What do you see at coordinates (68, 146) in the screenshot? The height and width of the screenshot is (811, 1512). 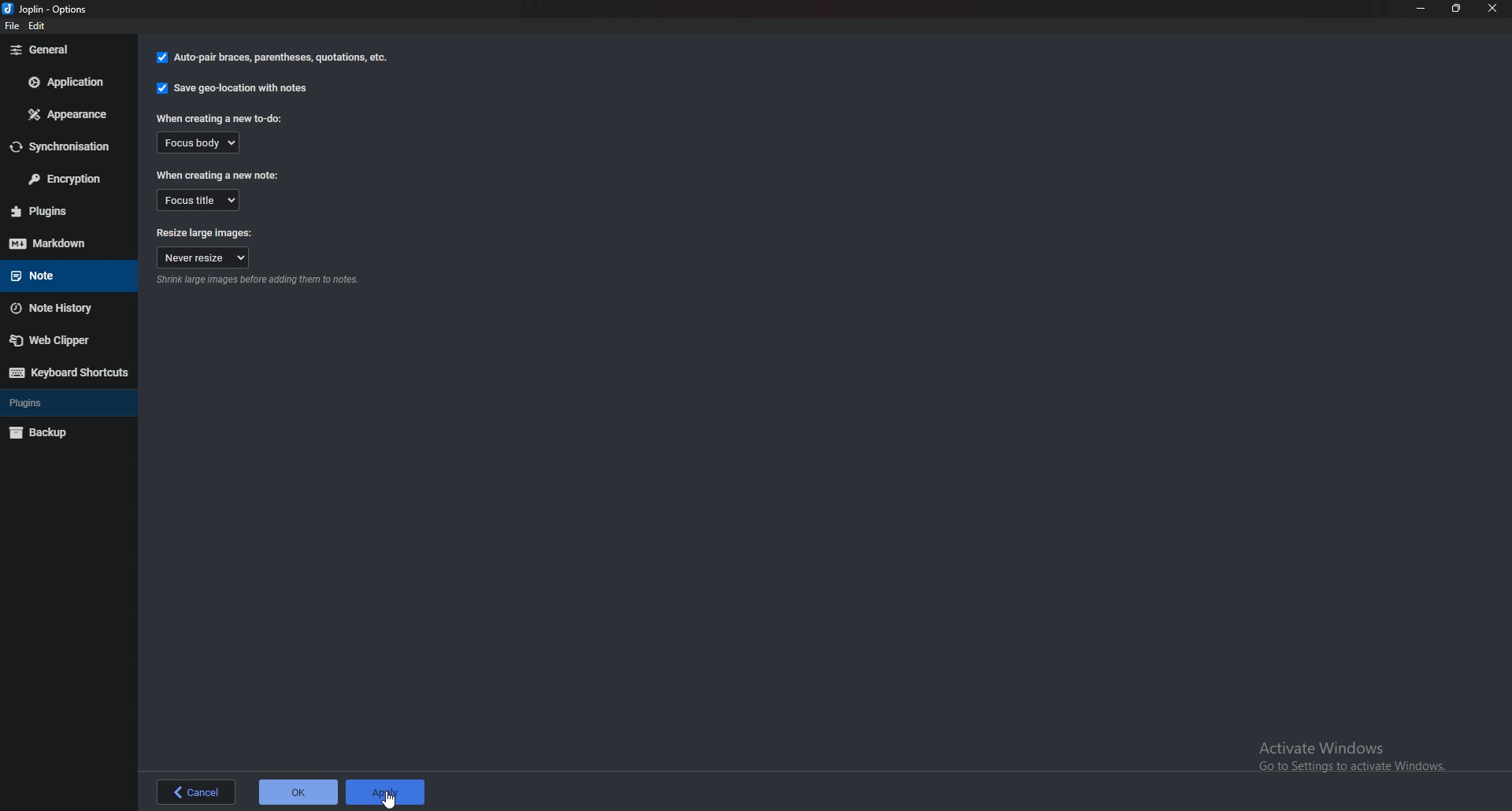 I see `Synchronization` at bounding box center [68, 146].